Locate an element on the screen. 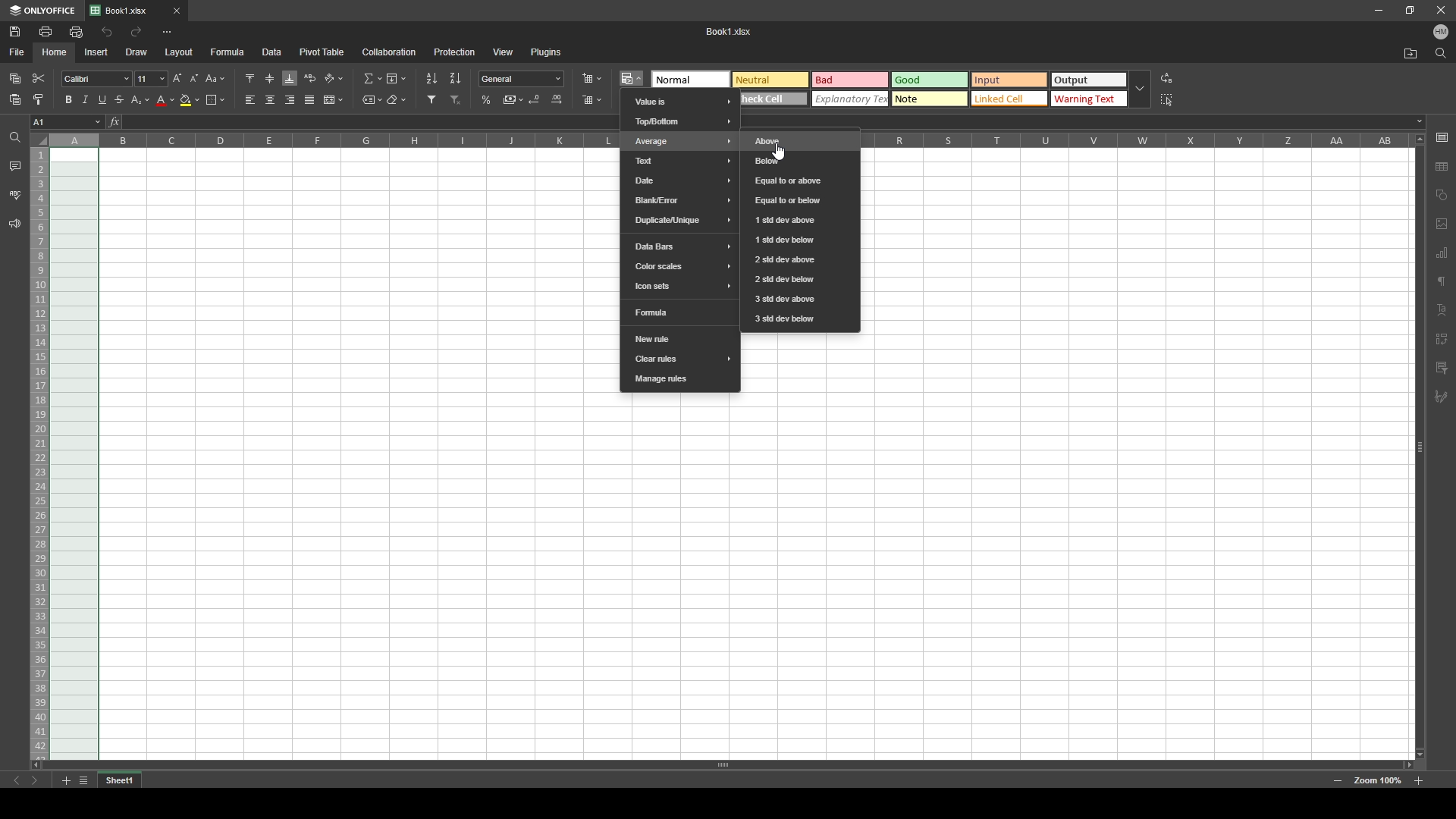  manage rules is located at coordinates (680, 380).